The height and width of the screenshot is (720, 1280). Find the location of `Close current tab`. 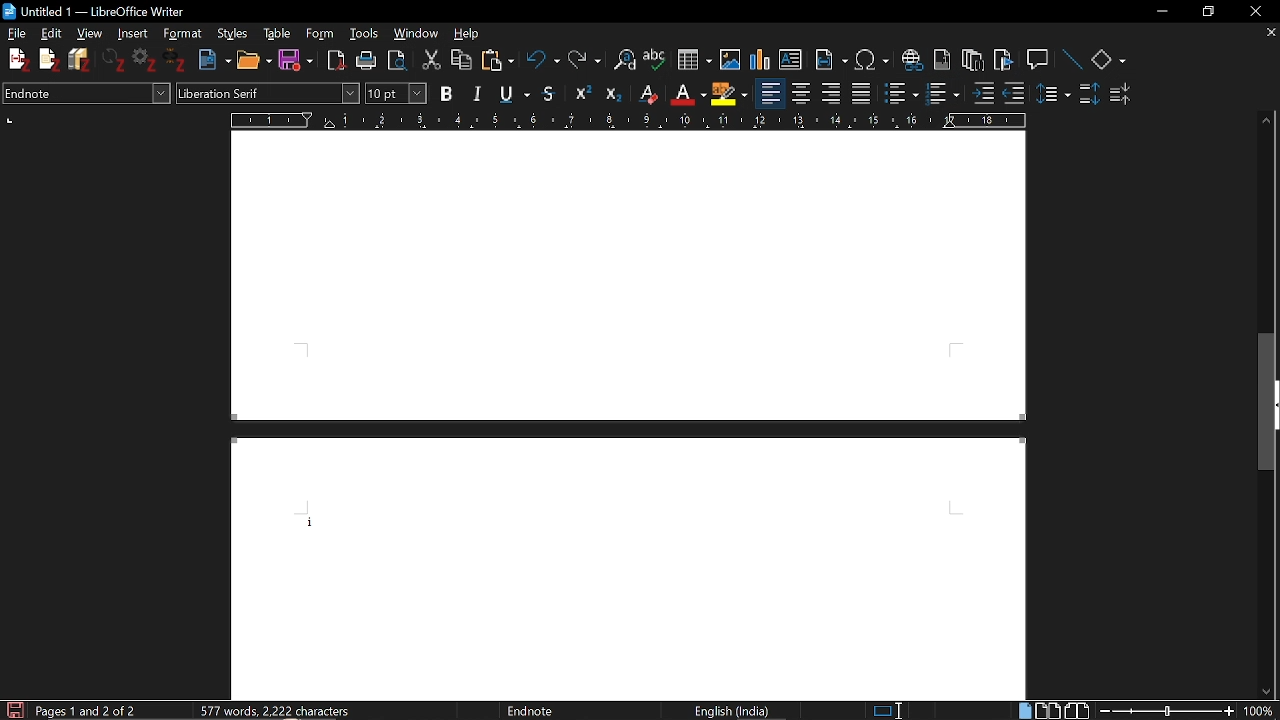

Close current tab is located at coordinates (1269, 34).